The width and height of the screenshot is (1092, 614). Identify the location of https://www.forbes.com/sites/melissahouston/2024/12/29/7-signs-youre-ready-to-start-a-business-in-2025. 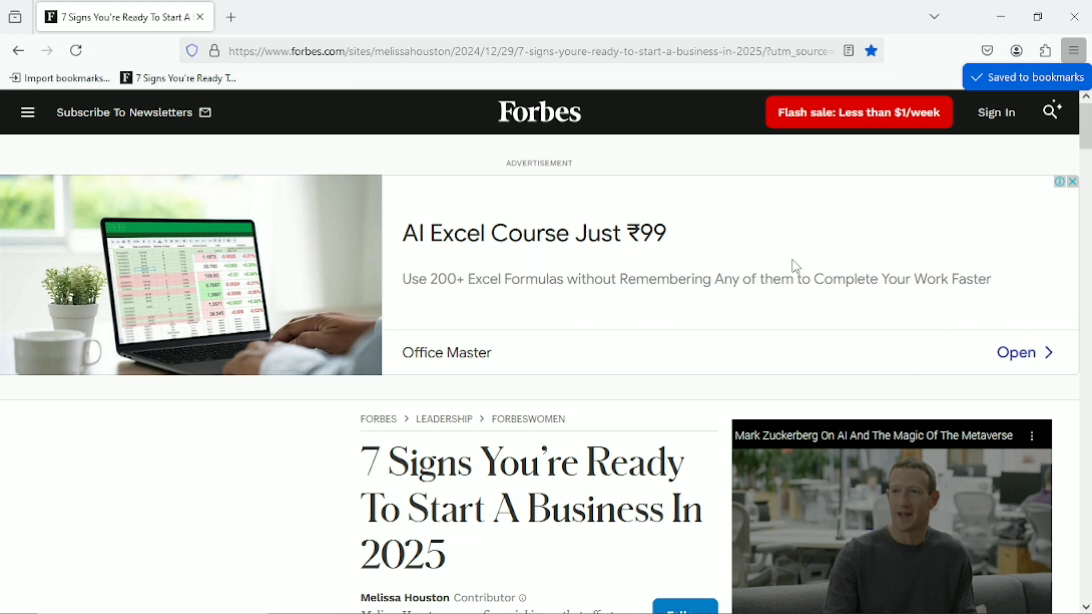
(532, 53).